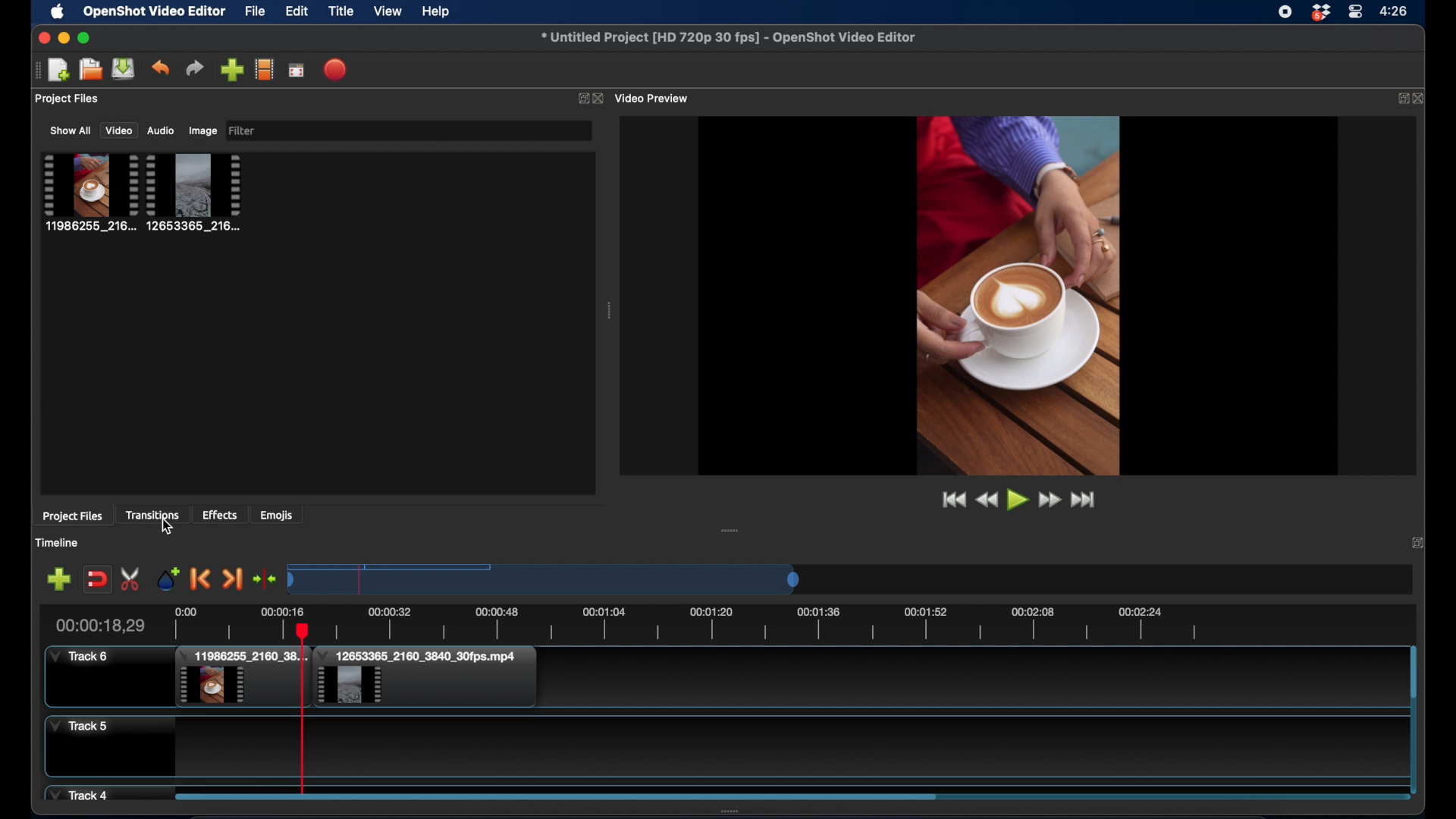 This screenshot has width=1456, height=819. Describe the element at coordinates (63, 38) in the screenshot. I see `minimize` at that location.